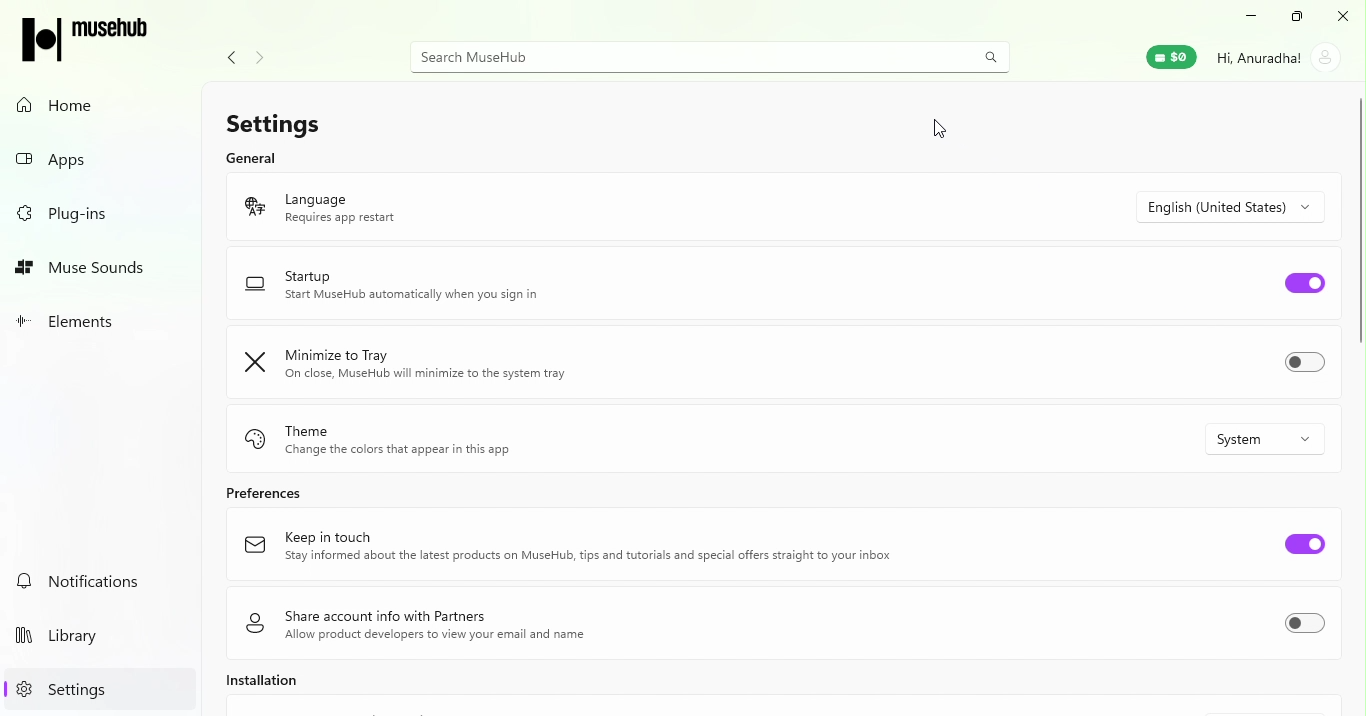  Describe the element at coordinates (1307, 363) in the screenshot. I see `Toggle` at that location.